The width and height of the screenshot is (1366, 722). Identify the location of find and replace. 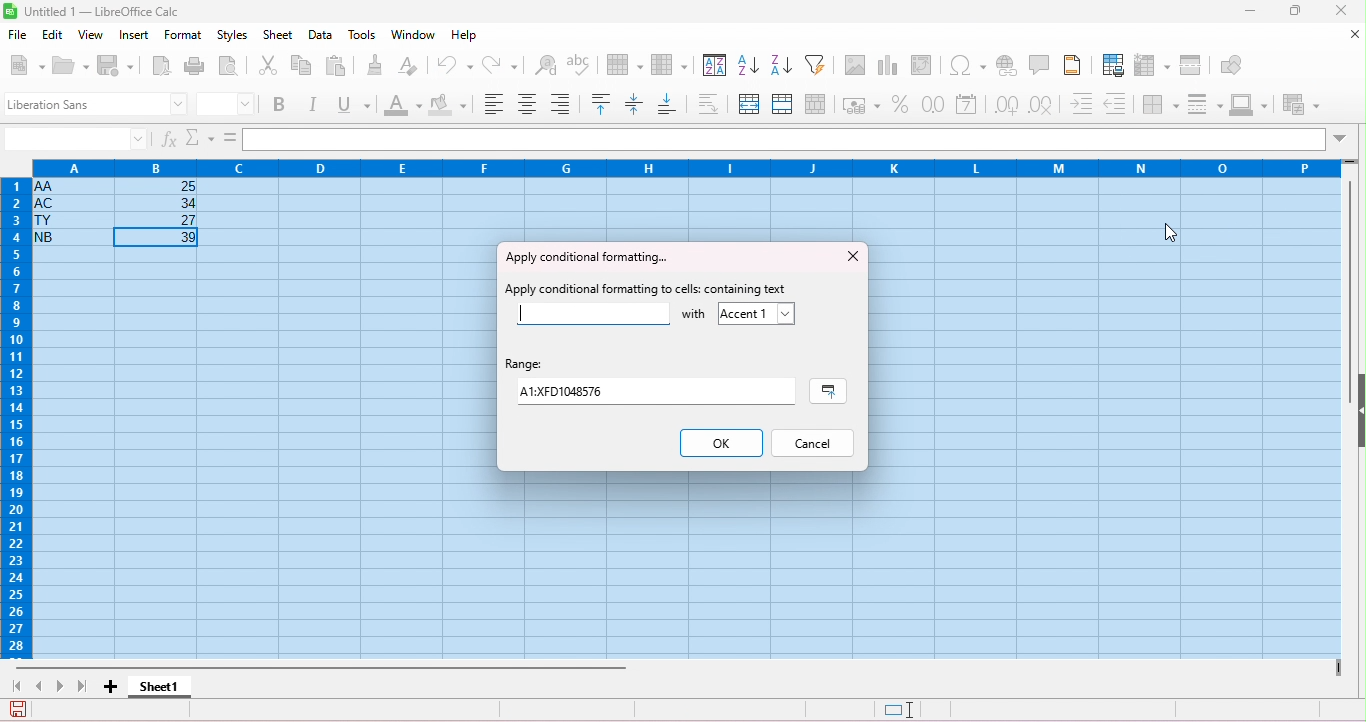
(546, 65).